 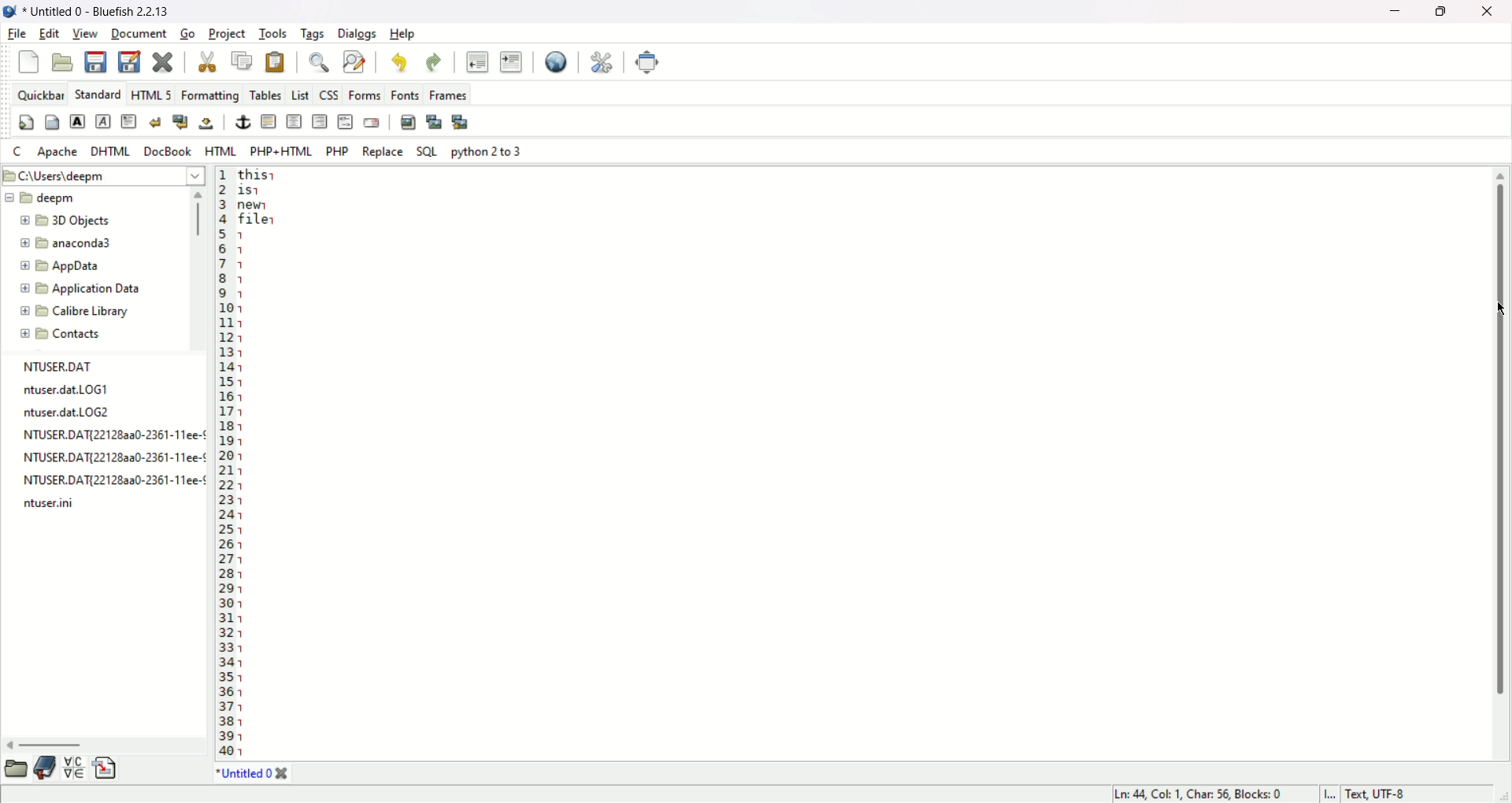 What do you see at coordinates (354, 62) in the screenshot?
I see `find and replace` at bounding box center [354, 62].